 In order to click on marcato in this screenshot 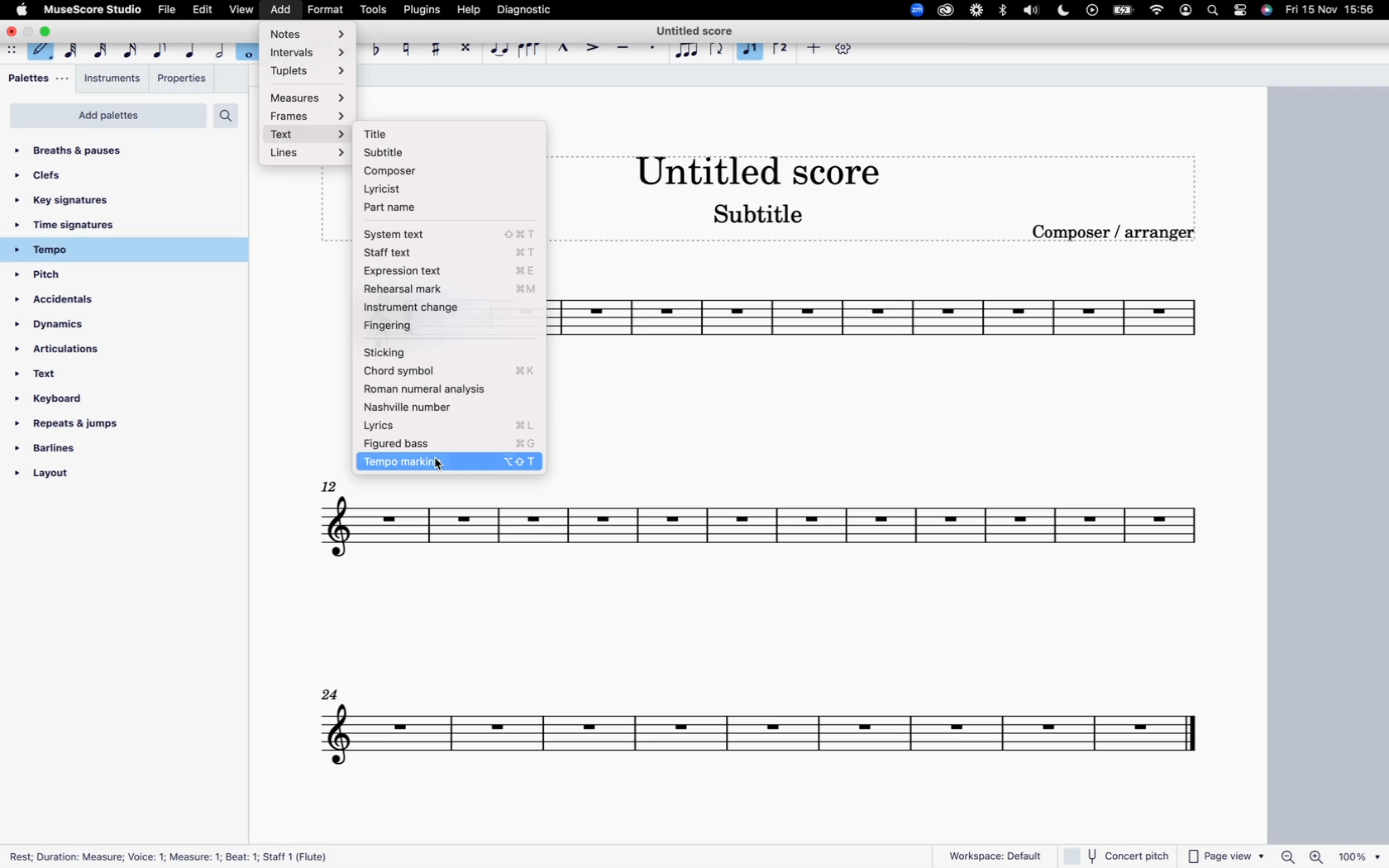, I will do `click(563, 49)`.